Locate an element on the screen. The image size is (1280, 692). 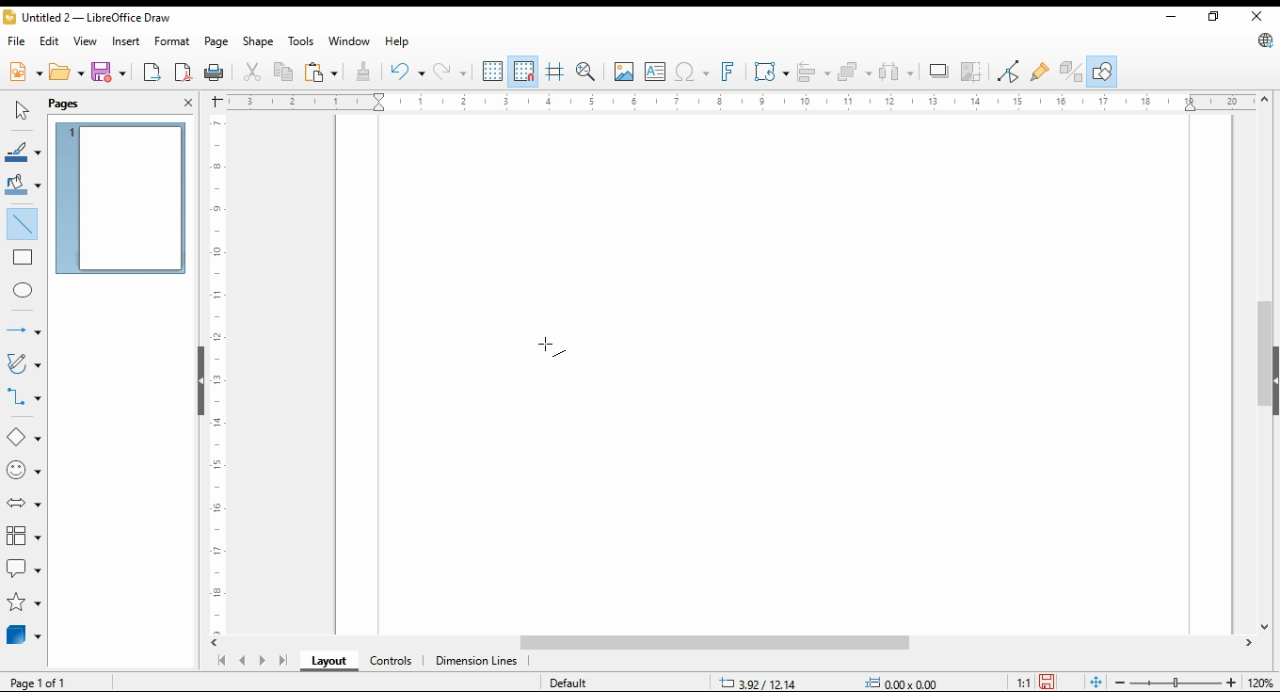
show gluepoint functions is located at coordinates (1038, 71).